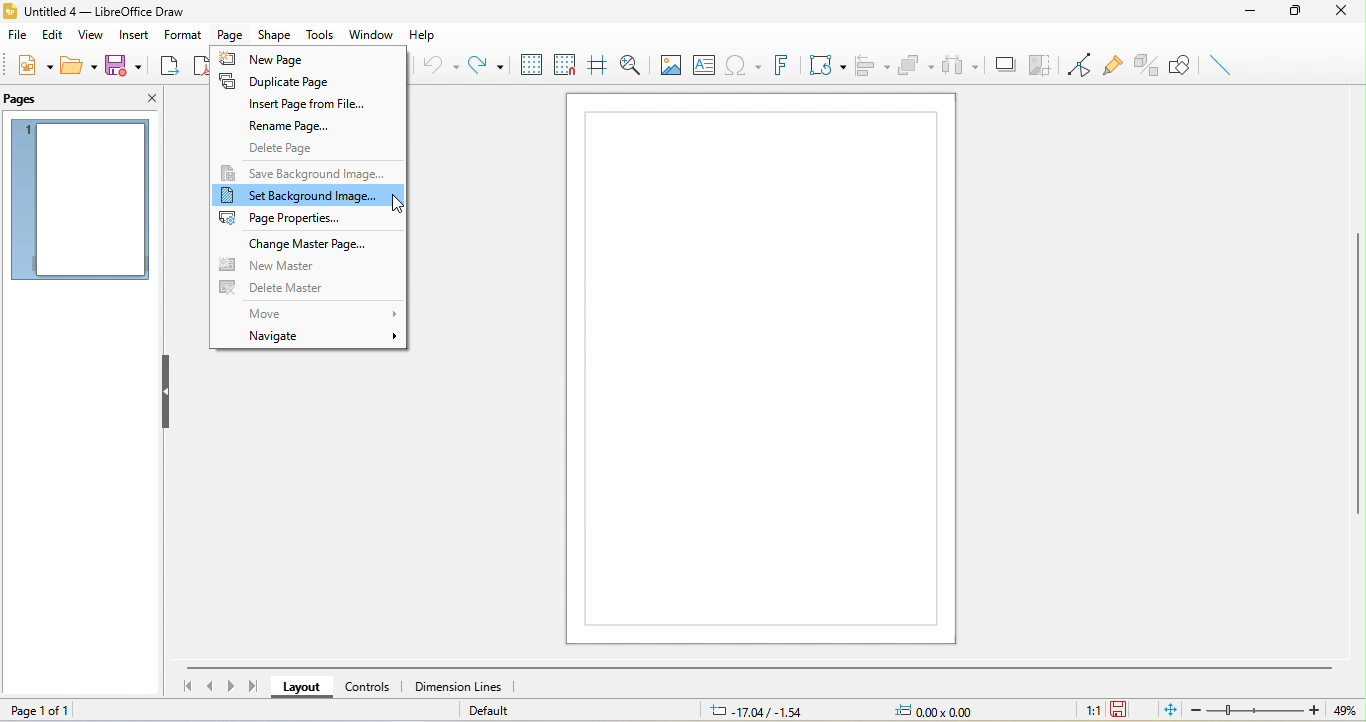 The image size is (1366, 722). What do you see at coordinates (916, 64) in the screenshot?
I see `arrange` at bounding box center [916, 64].